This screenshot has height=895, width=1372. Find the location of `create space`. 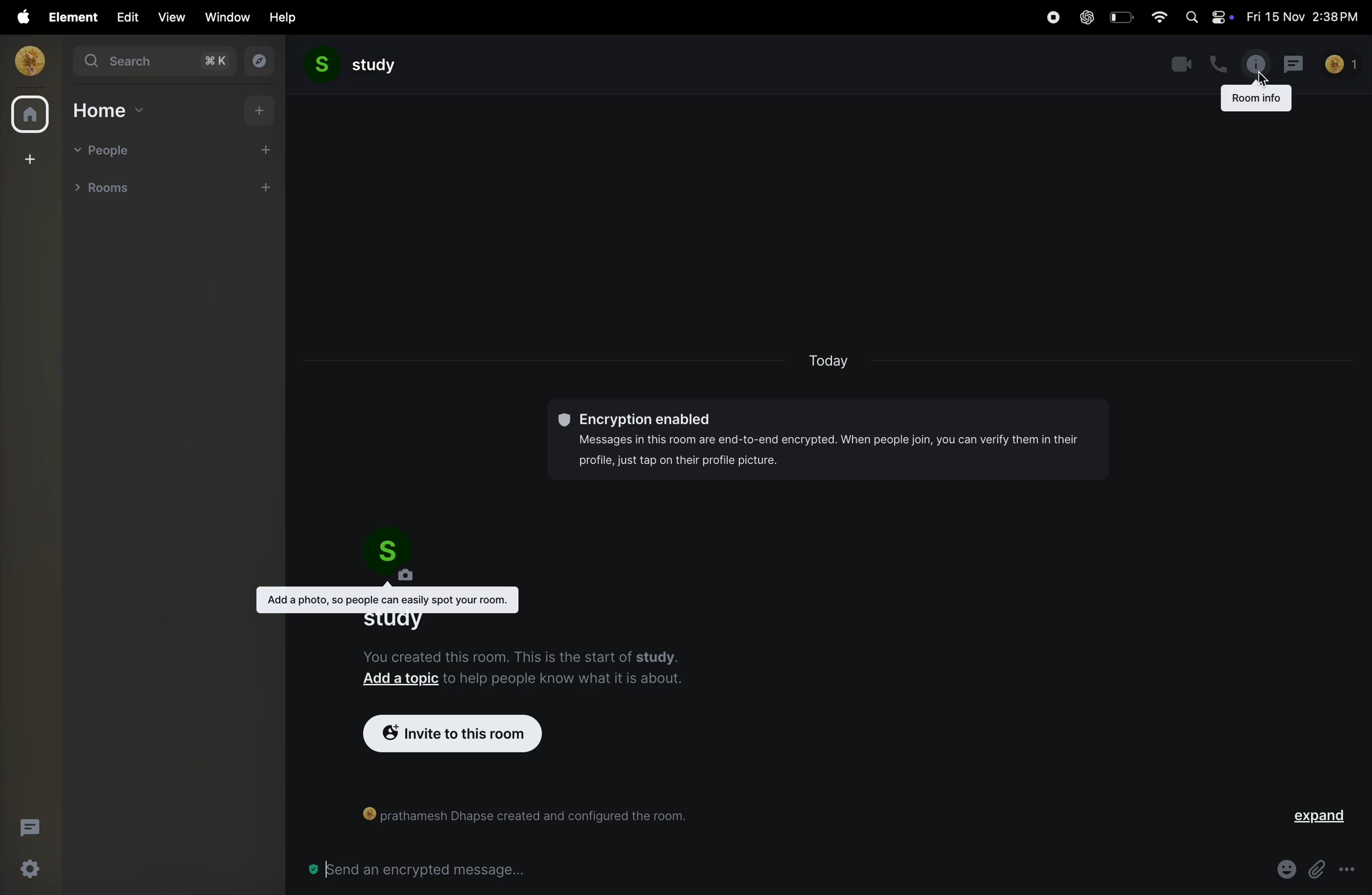

create space is located at coordinates (28, 158).